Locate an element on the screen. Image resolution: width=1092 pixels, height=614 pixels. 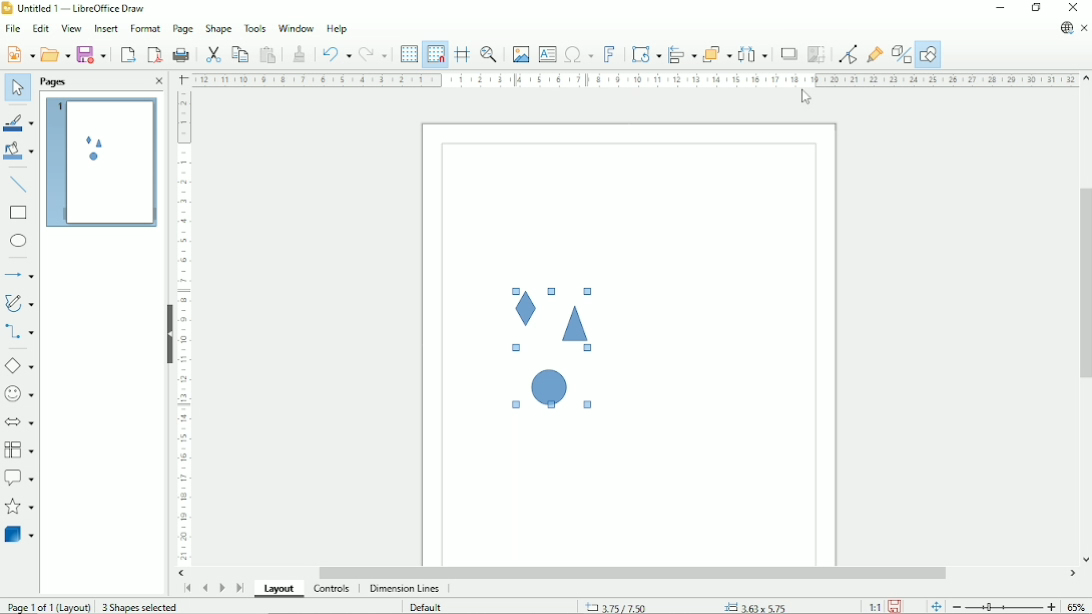
Cursor is located at coordinates (804, 98).